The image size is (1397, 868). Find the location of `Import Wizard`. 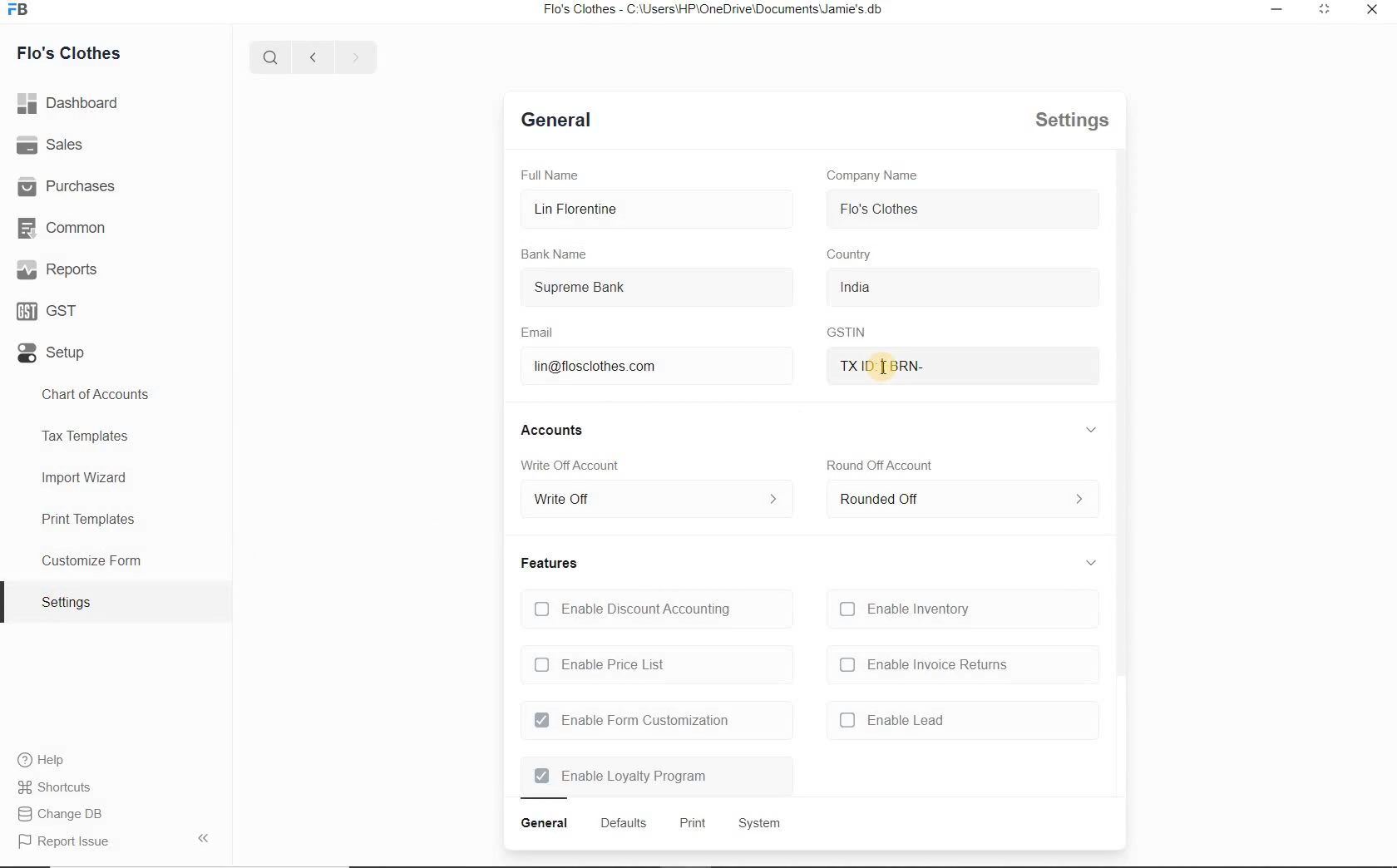

Import Wizard is located at coordinates (86, 479).